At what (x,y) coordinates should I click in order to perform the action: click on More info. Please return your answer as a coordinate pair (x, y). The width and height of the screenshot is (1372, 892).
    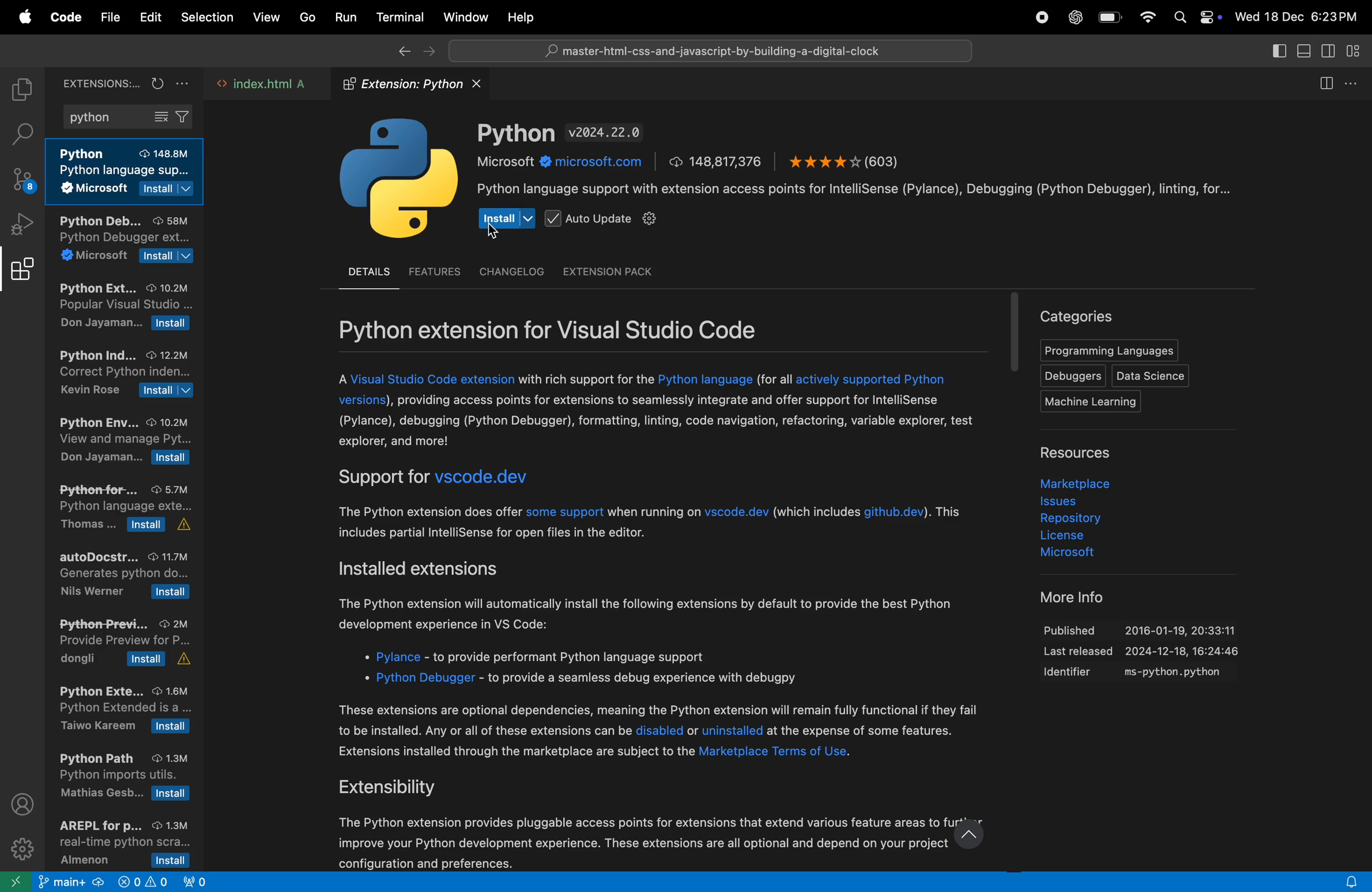
    Looking at the image, I should click on (1064, 596).